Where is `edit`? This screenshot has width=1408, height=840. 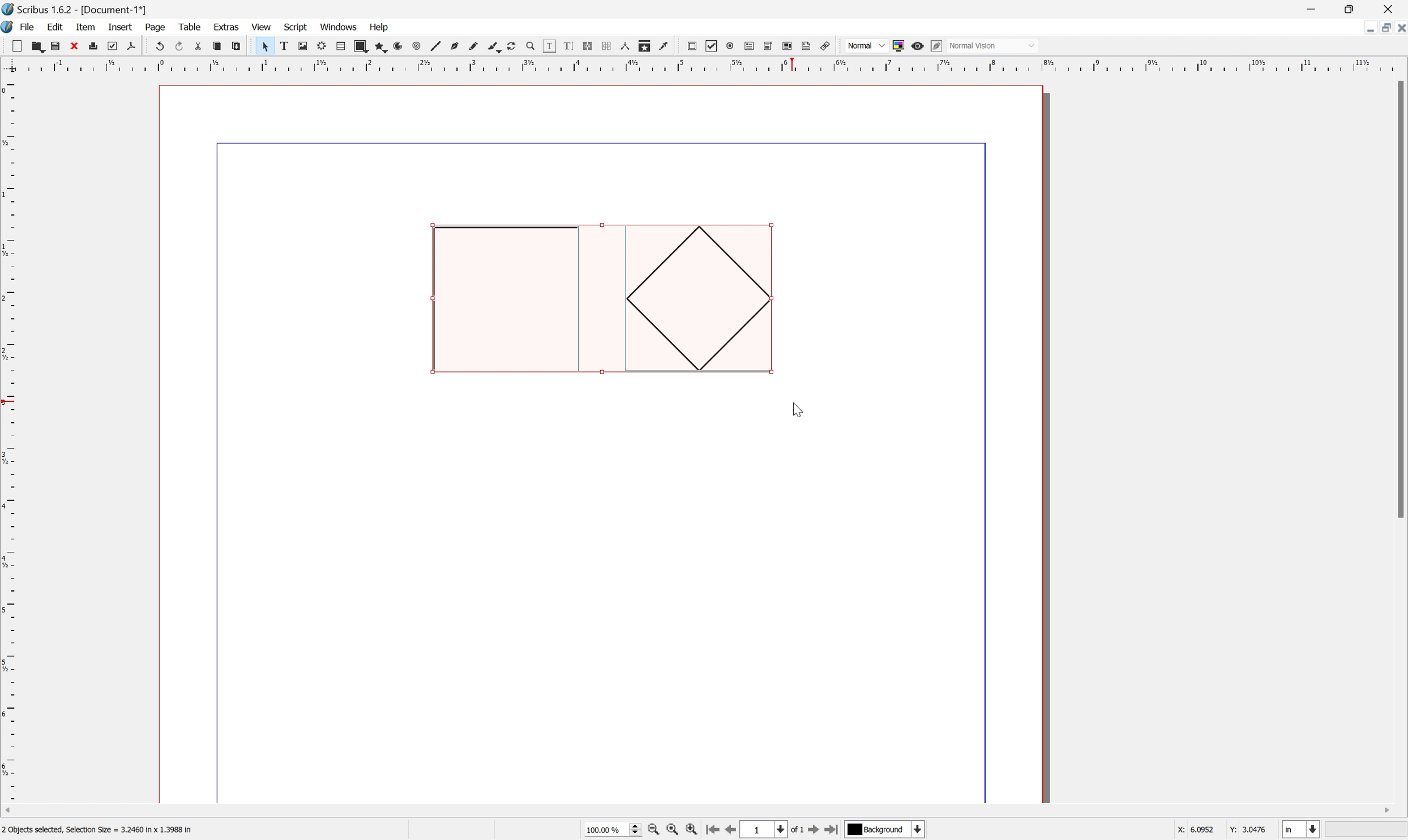
edit is located at coordinates (57, 27).